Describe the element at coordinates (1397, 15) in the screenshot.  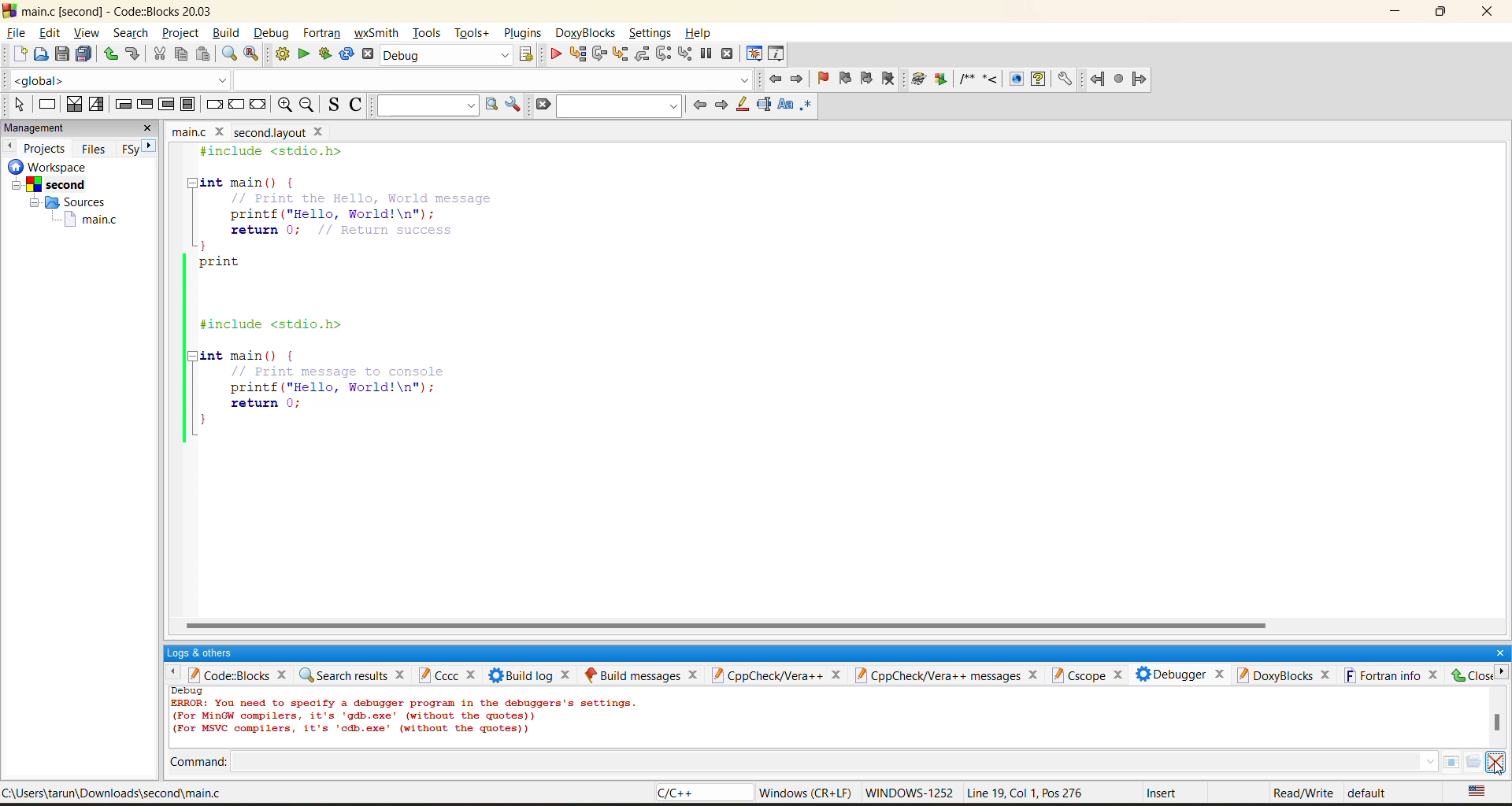
I see `minimize` at that location.